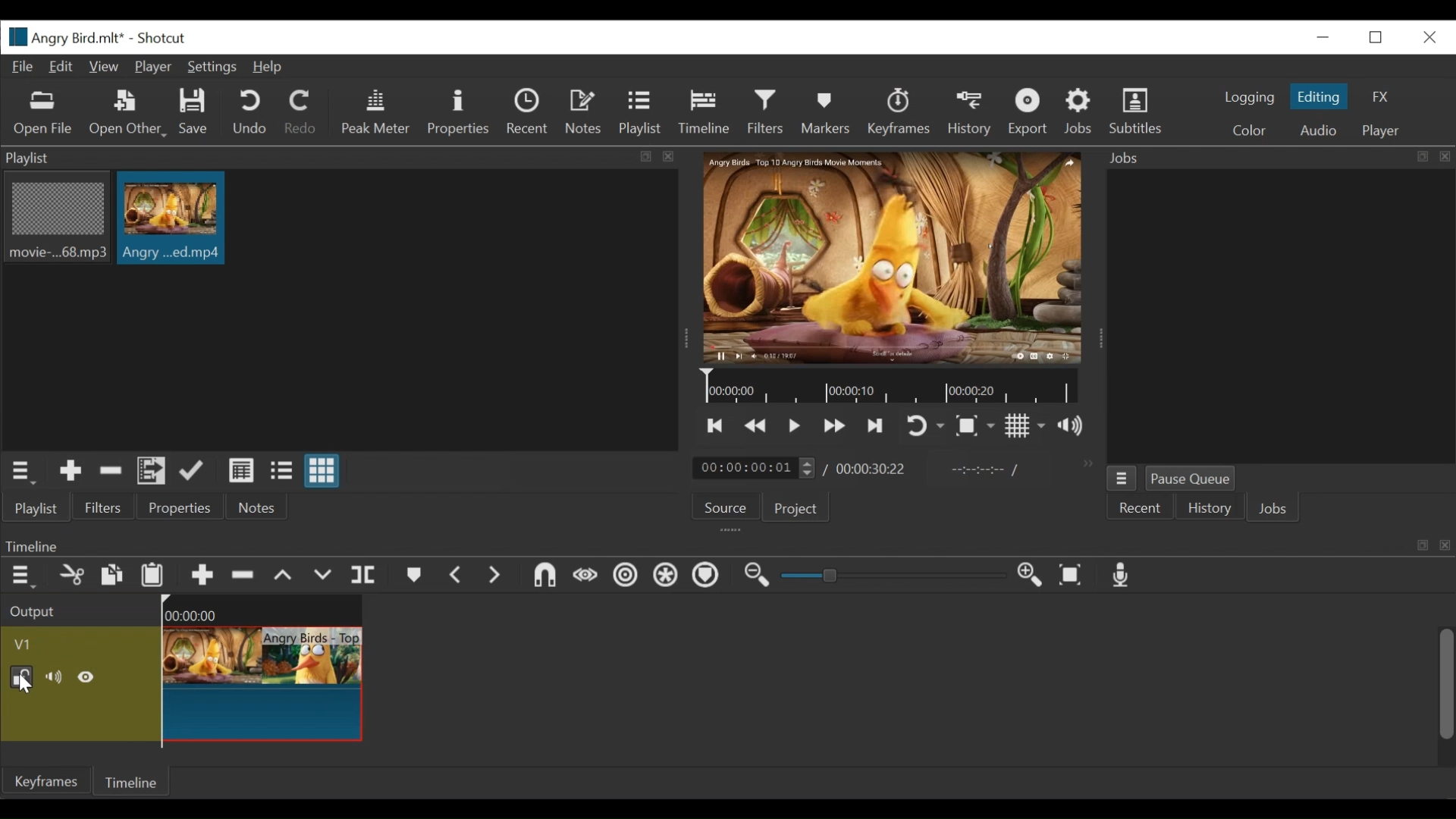 The height and width of the screenshot is (819, 1456). I want to click on Timeline, so click(727, 543).